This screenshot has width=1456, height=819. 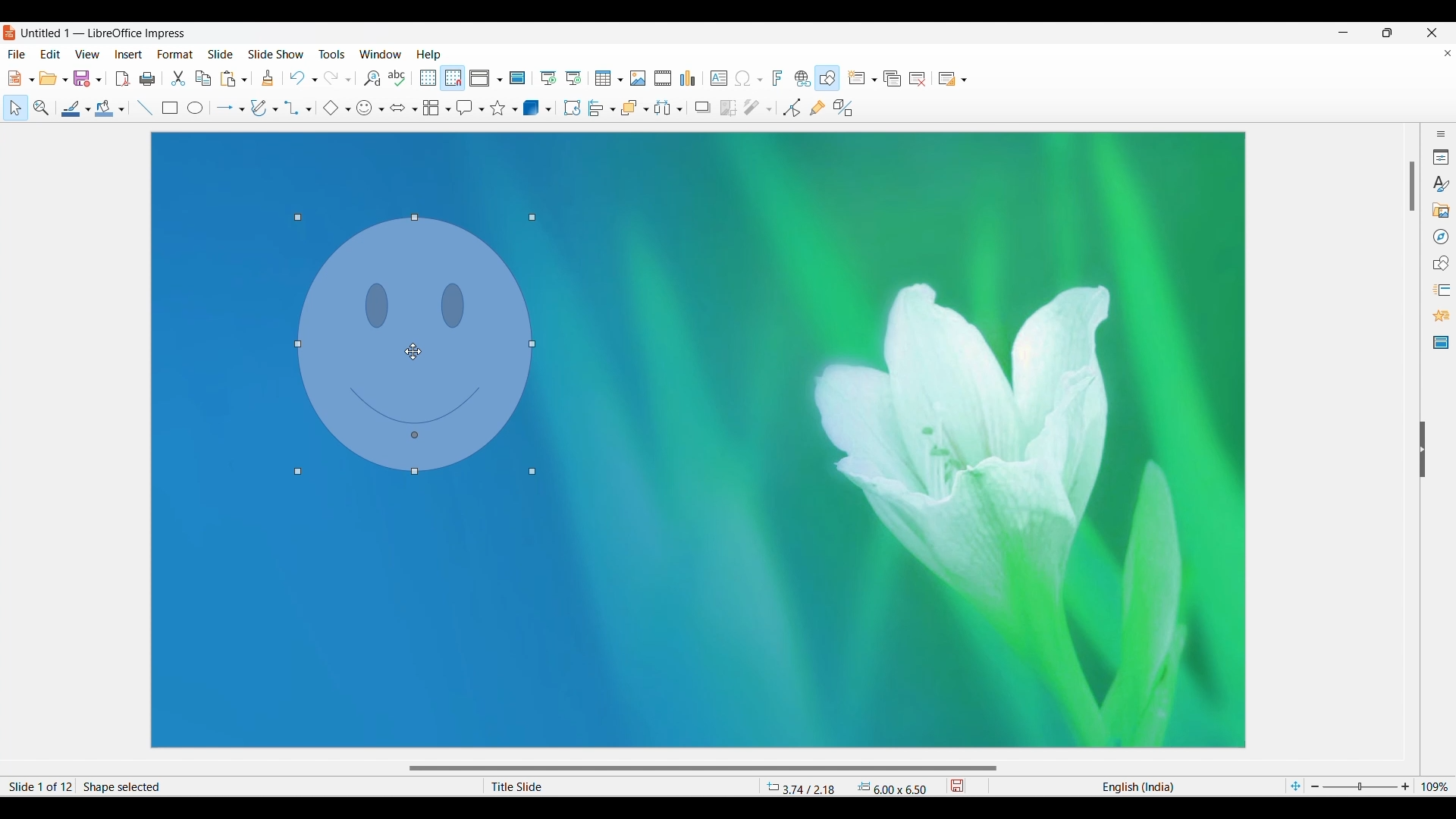 I want to click on save modifications to document, so click(x=959, y=786).